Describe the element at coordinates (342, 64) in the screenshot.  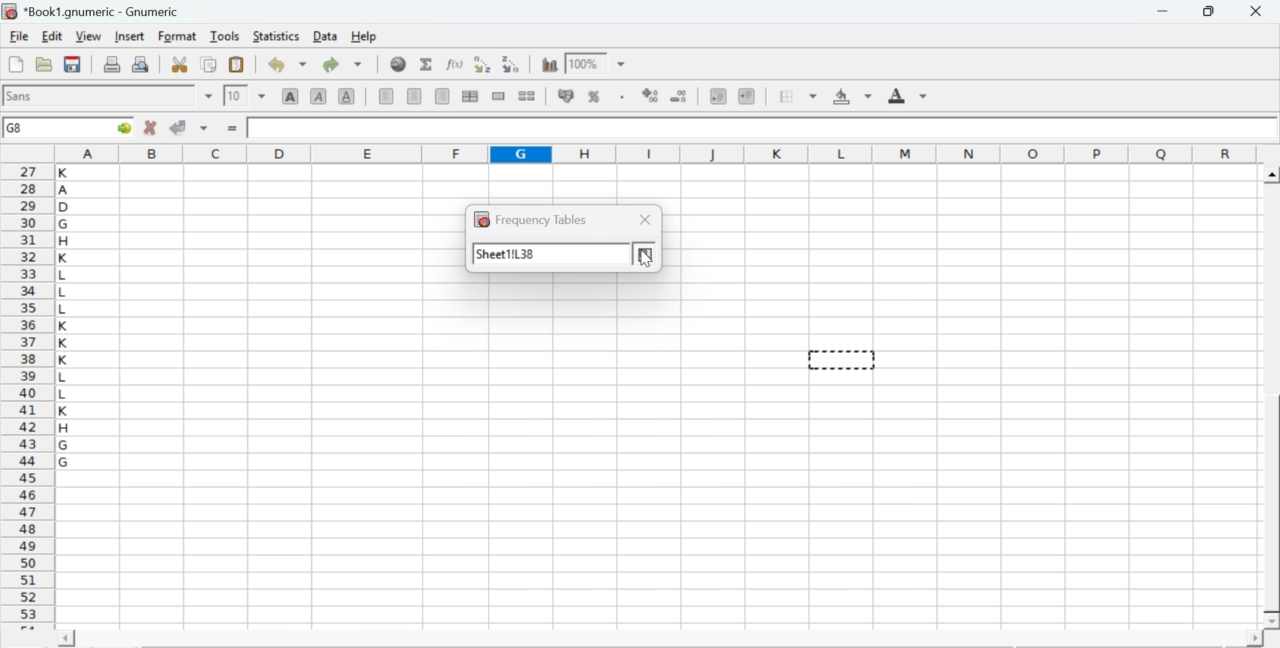
I see `redo` at that location.